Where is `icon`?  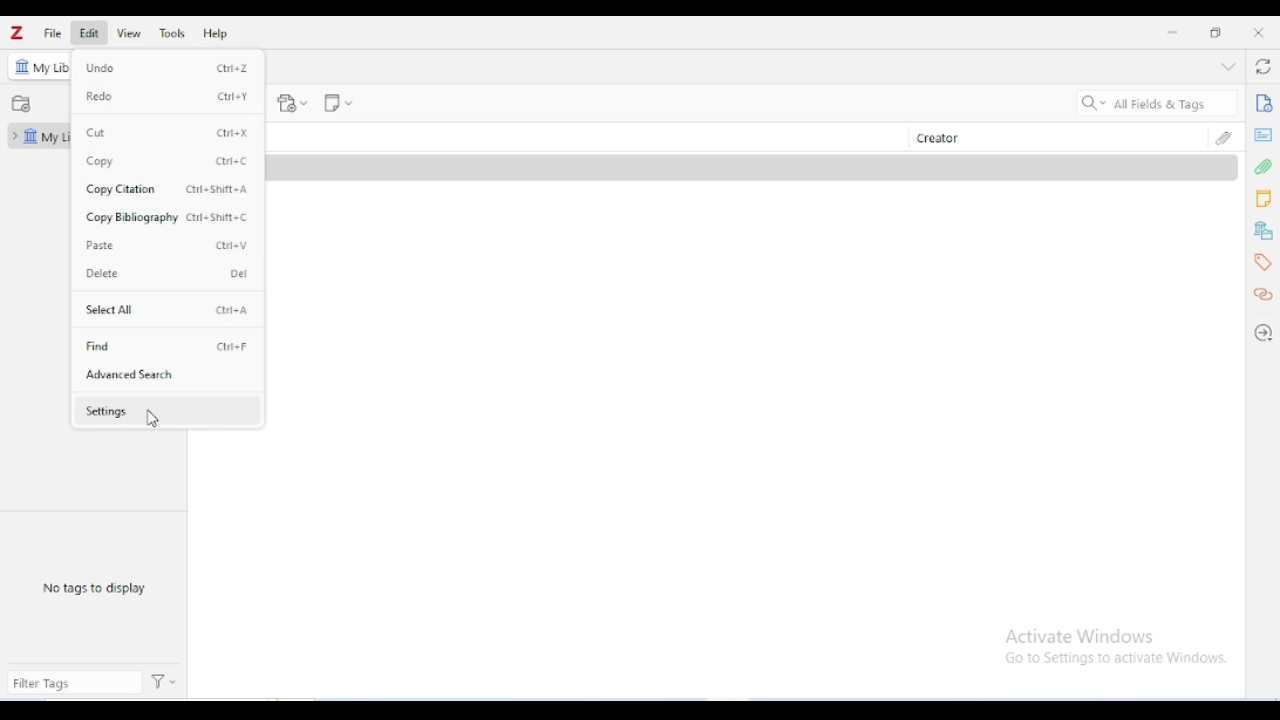
icon is located at coordinates (31, 136).